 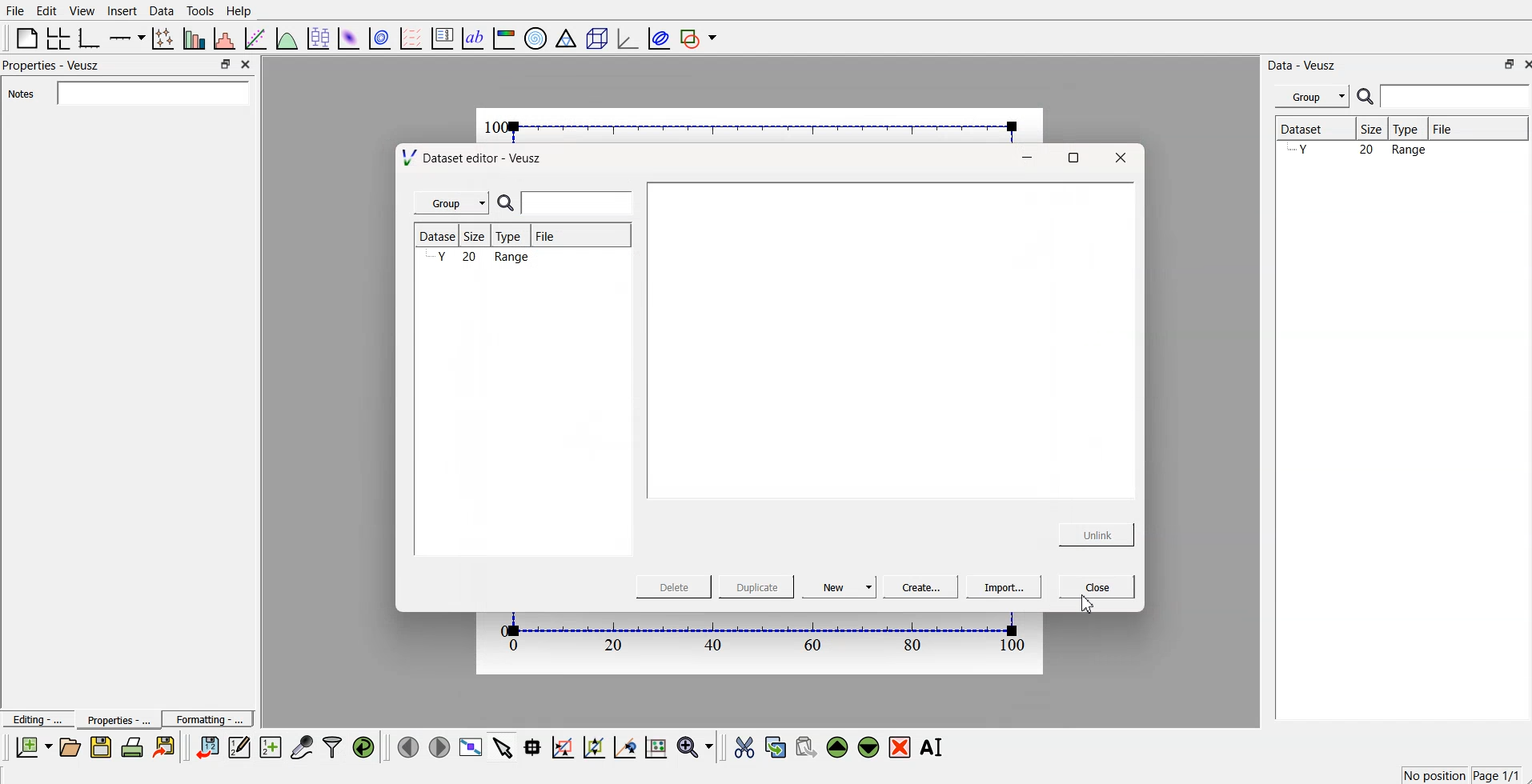 What do you see at coordinates (839, 746) in the screenshot?
I see `move up` at bounding box center [839, 746].